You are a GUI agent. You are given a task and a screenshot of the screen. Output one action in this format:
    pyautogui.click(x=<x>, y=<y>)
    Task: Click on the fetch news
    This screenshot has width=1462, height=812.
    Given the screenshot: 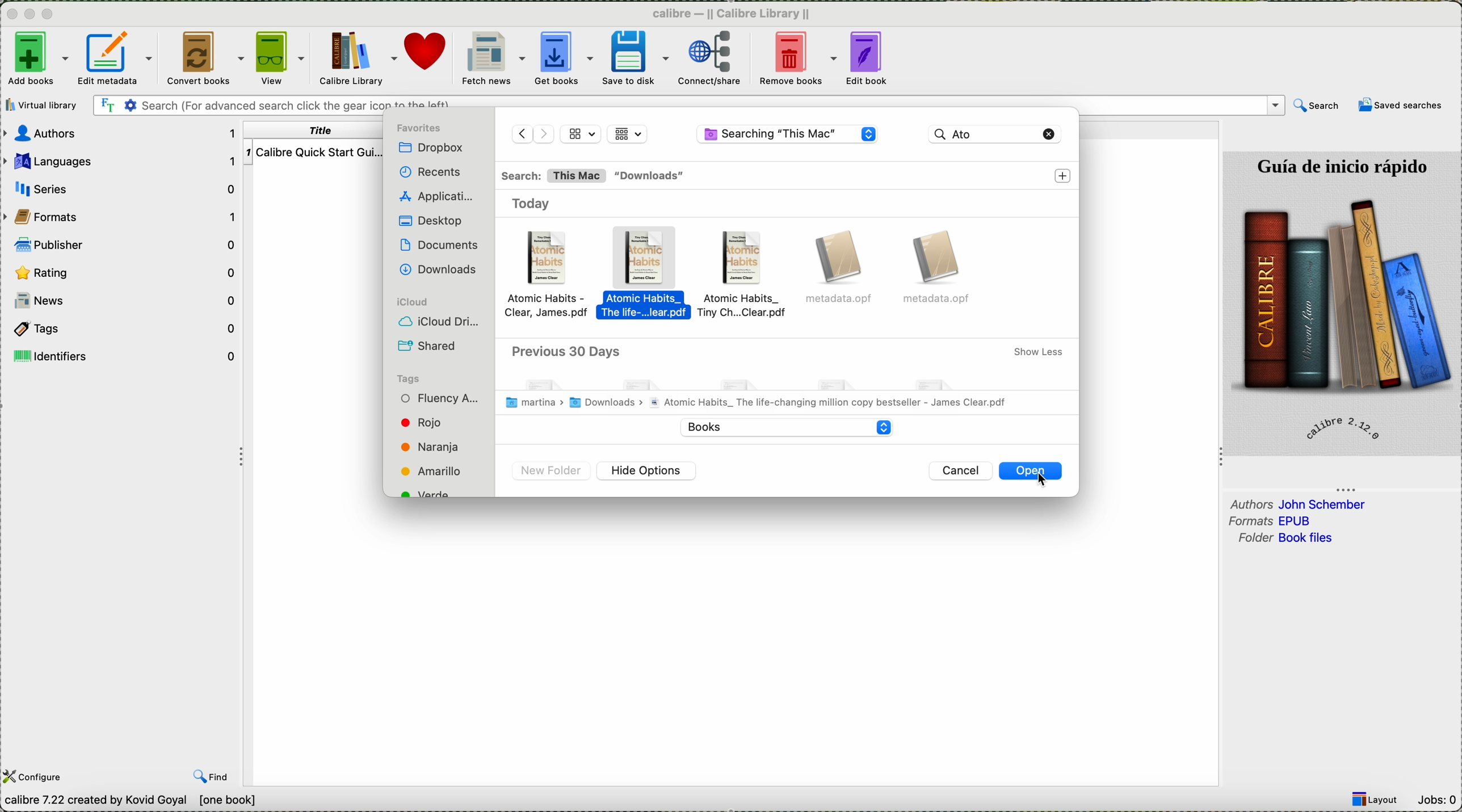 What is the action you would take?
    pyautogui.click(x=493, y=59)
    